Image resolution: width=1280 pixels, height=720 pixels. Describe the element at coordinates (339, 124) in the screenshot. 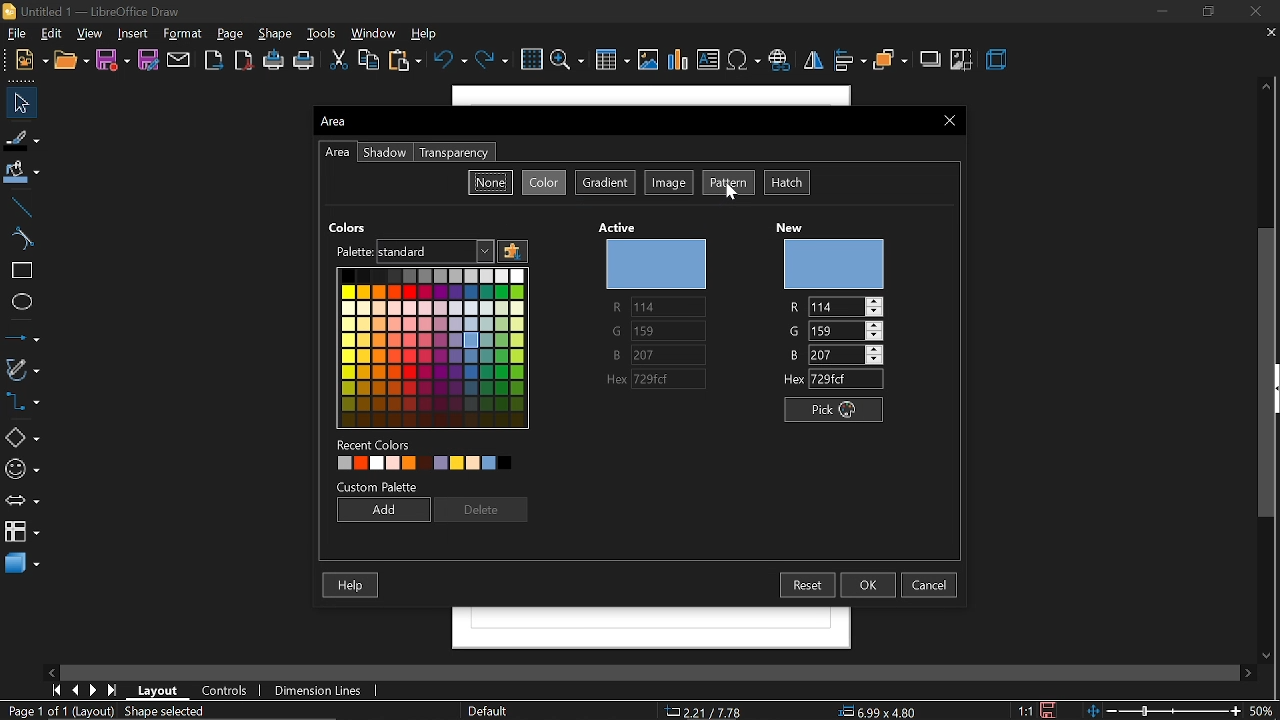

I see `current window` at that location.